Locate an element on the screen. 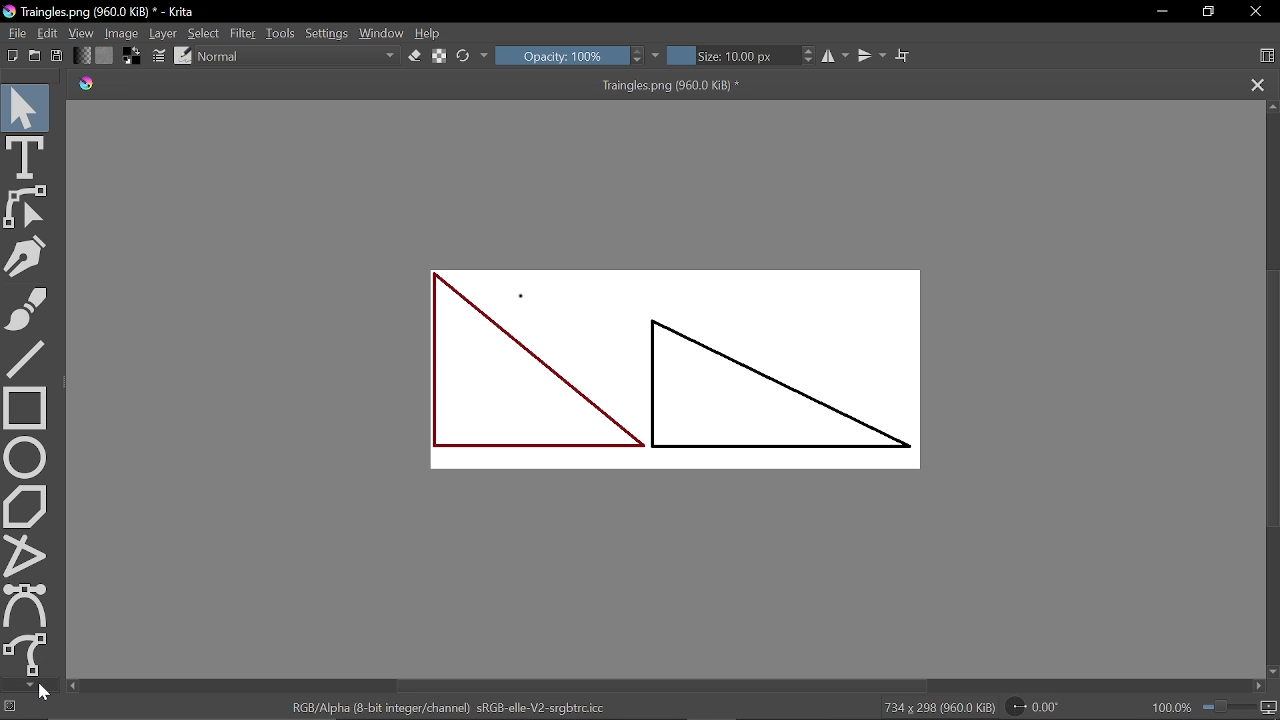 Image resolution: width=1280 pixels, height=720 pixels. restore down is located at coordinates (1211, 11).